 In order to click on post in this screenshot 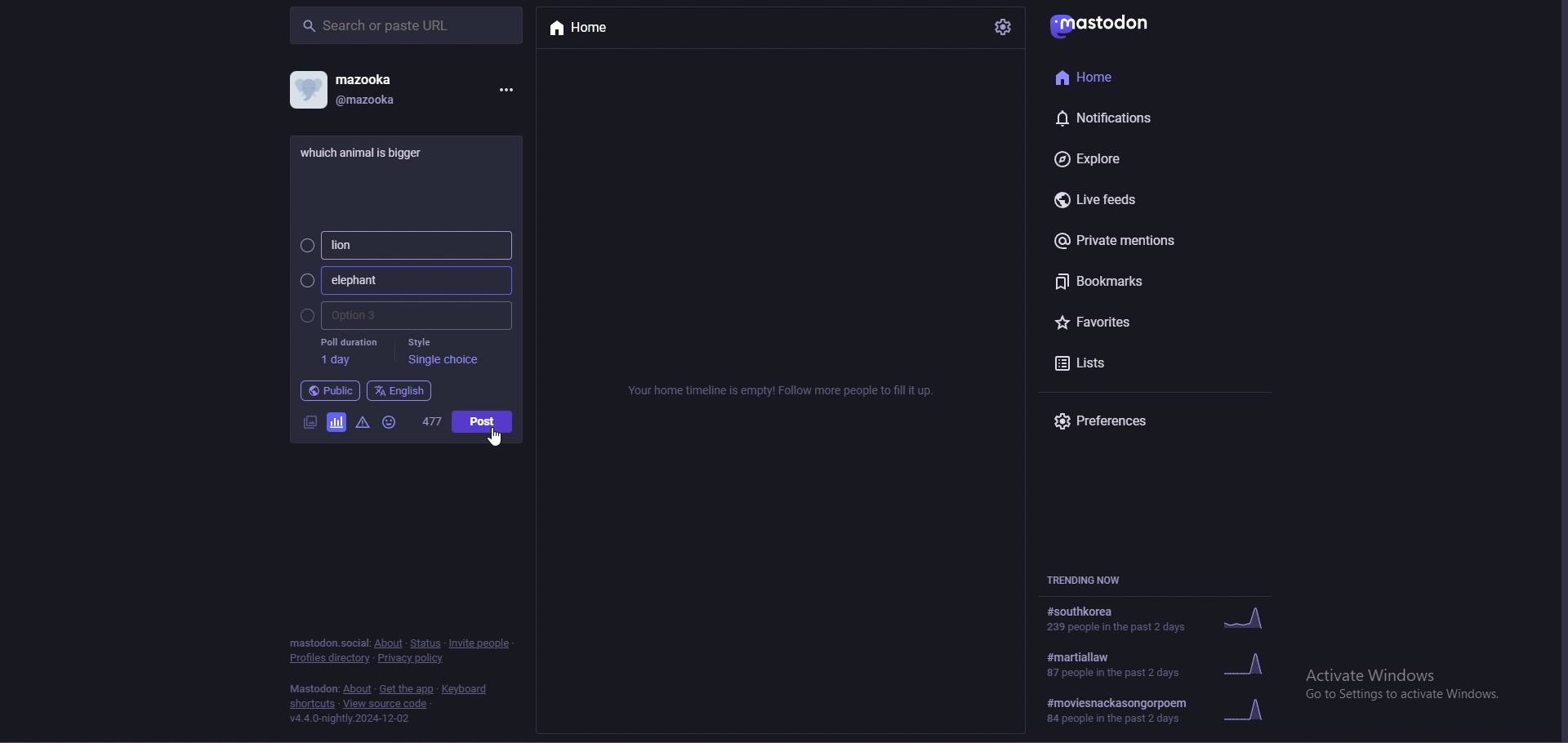, I will do `click(481, 421)`.